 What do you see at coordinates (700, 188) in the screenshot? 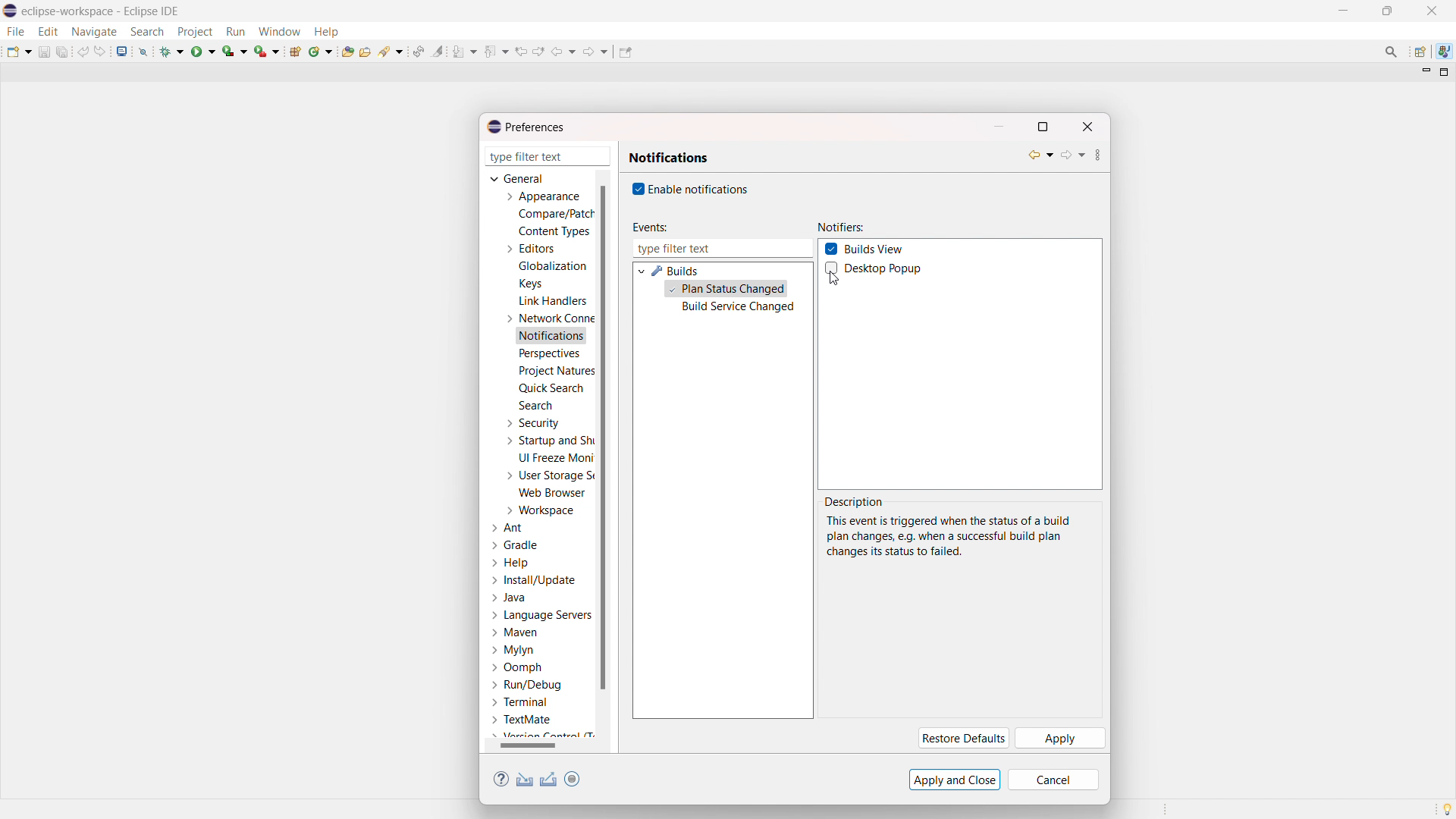
I see `enable notifications` at bounding box center [700, 188].